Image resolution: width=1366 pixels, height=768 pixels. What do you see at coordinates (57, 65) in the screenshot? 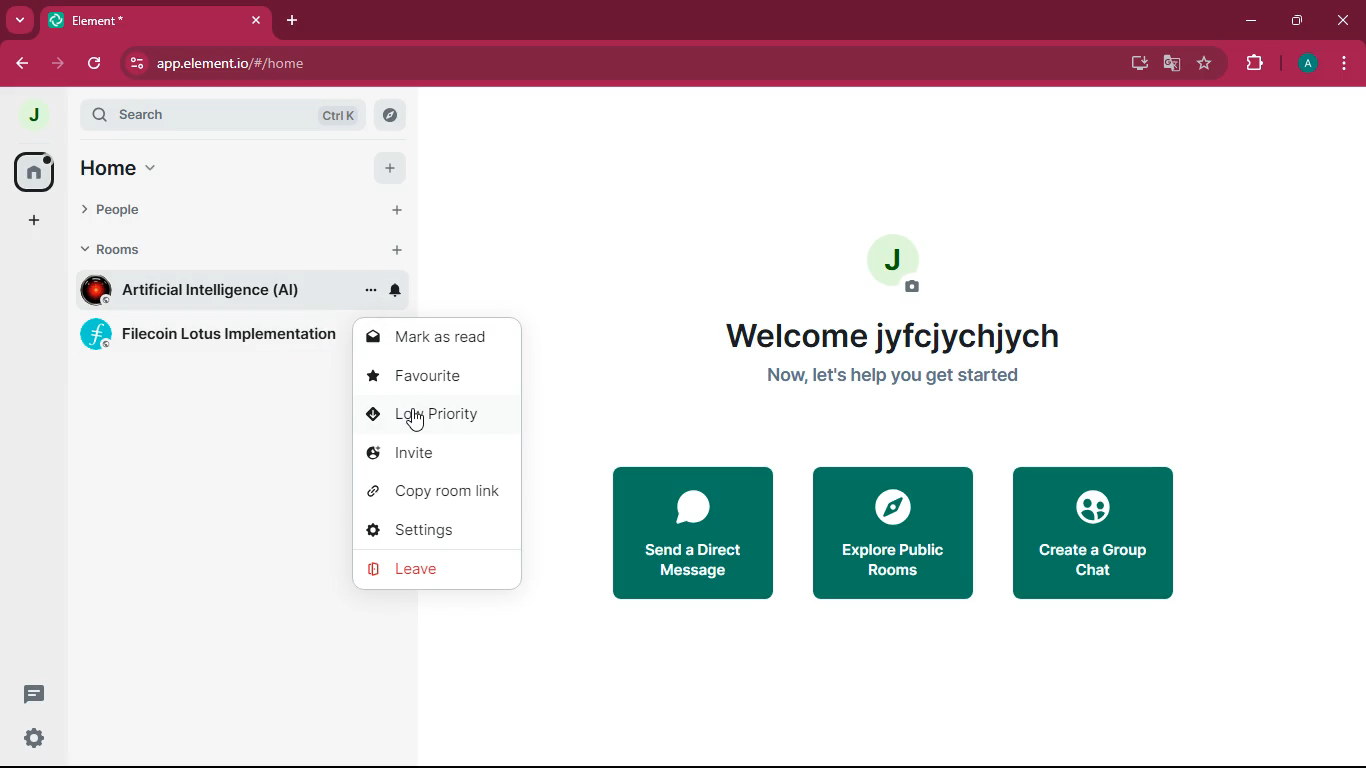
I see `forward` at bounding box center [57, 65].